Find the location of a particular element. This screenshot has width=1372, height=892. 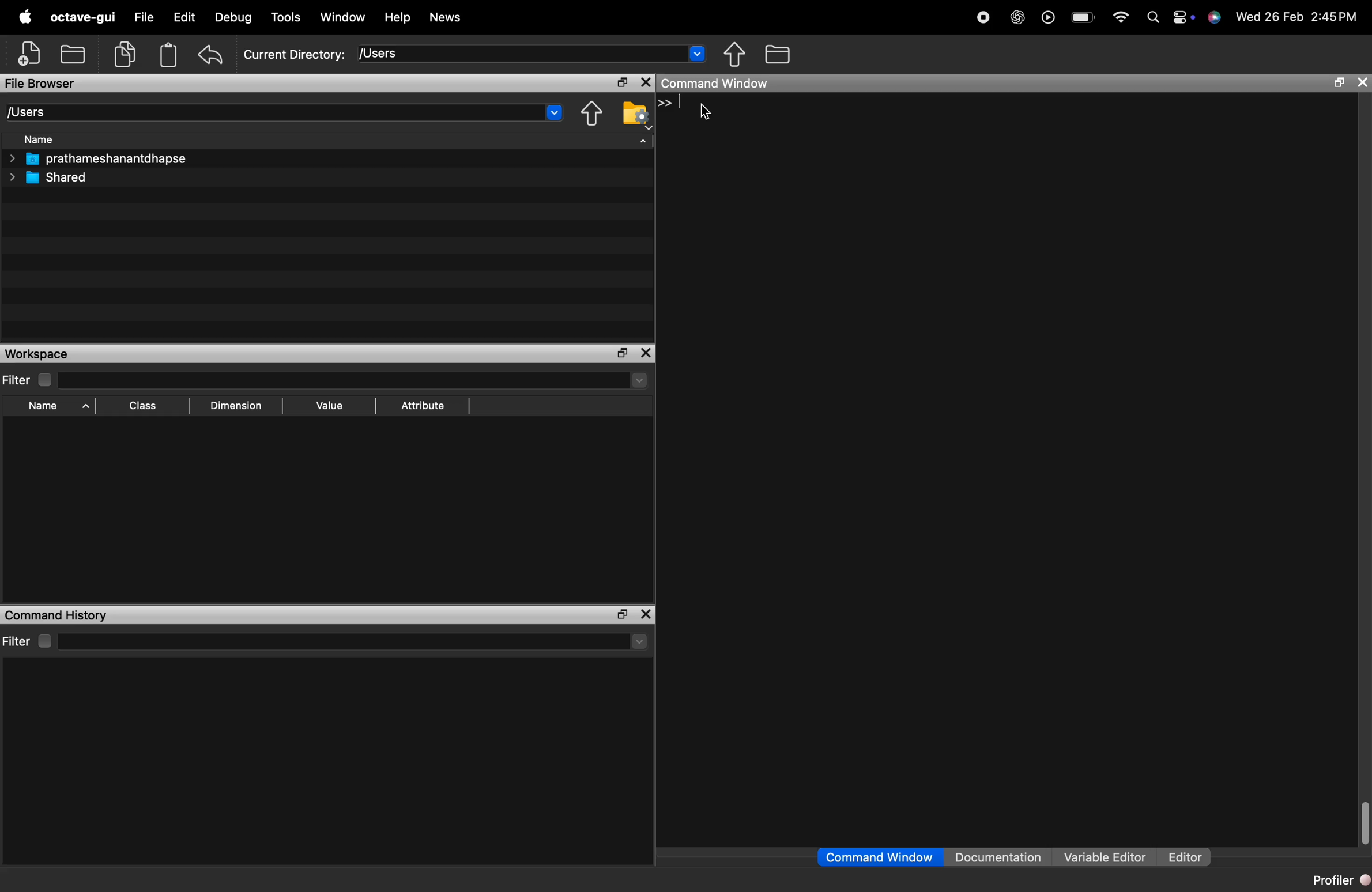

wifi is located at coordinates (1120, 13).